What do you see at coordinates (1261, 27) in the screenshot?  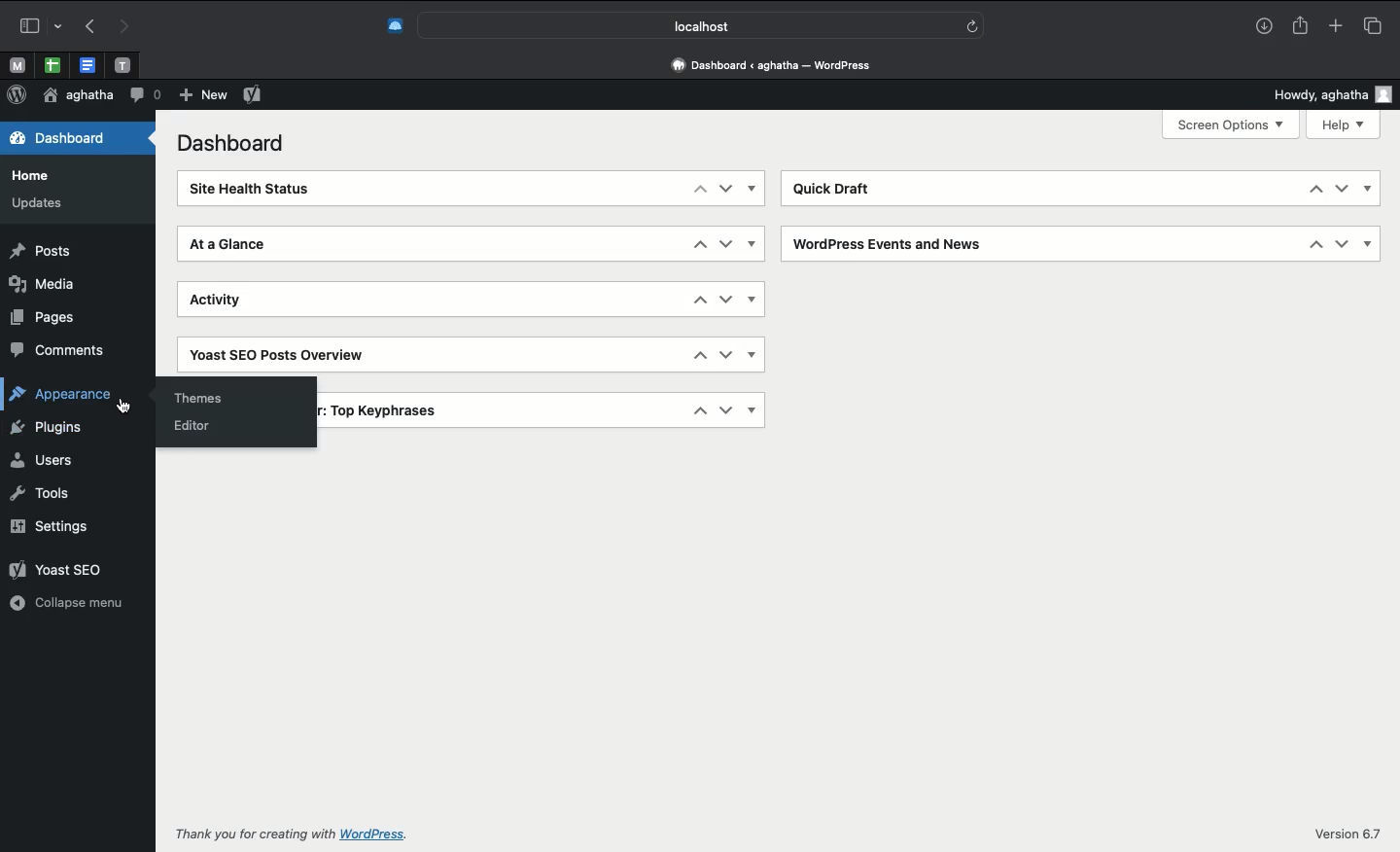 I see `Download` at bounding box center [1261, 27].